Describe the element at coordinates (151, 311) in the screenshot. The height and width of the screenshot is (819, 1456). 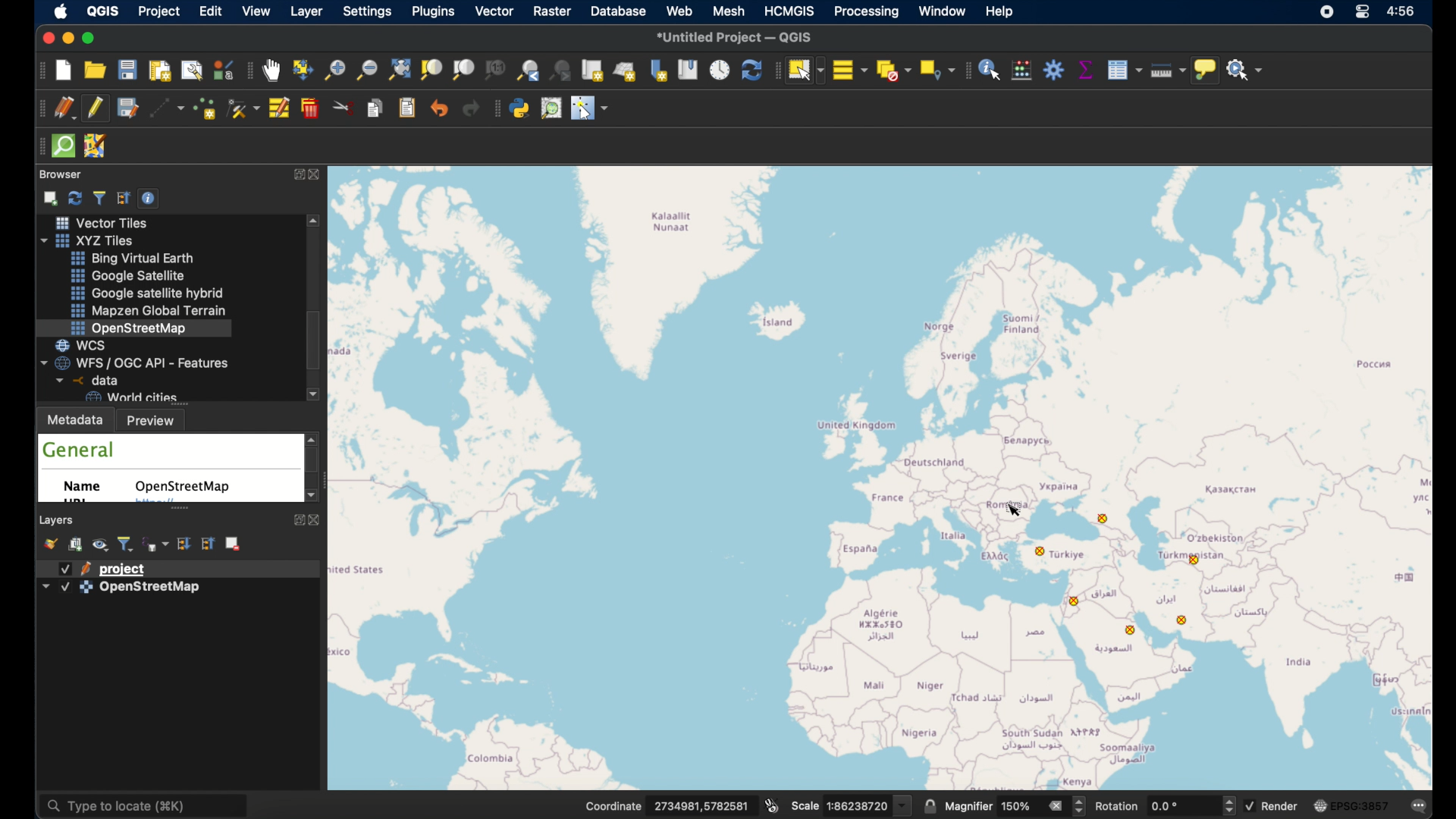
I see `mapzen global terrain` at that location.